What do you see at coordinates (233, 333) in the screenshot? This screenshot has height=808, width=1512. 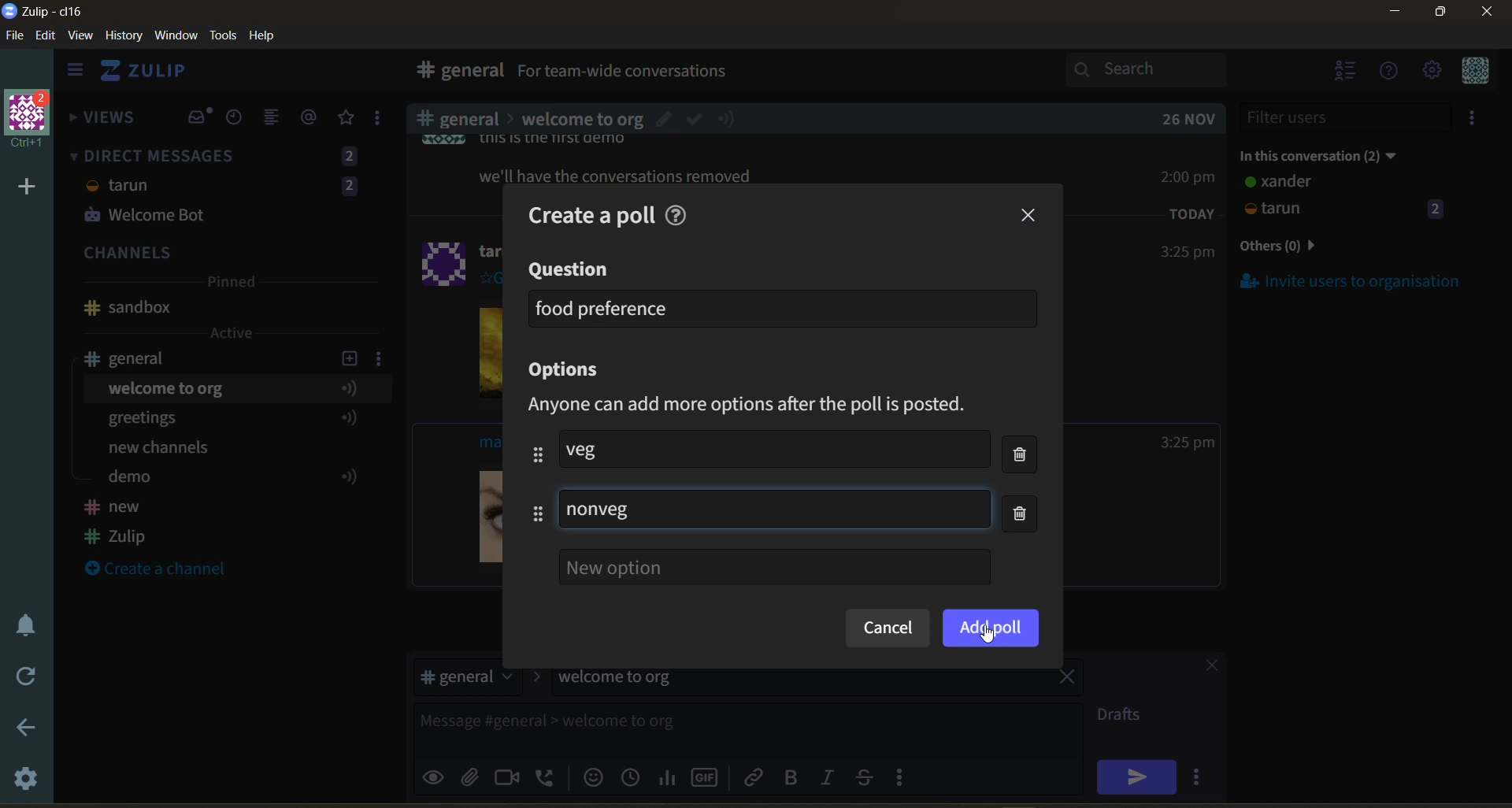 I see `active` at bounding box center [233, 333].